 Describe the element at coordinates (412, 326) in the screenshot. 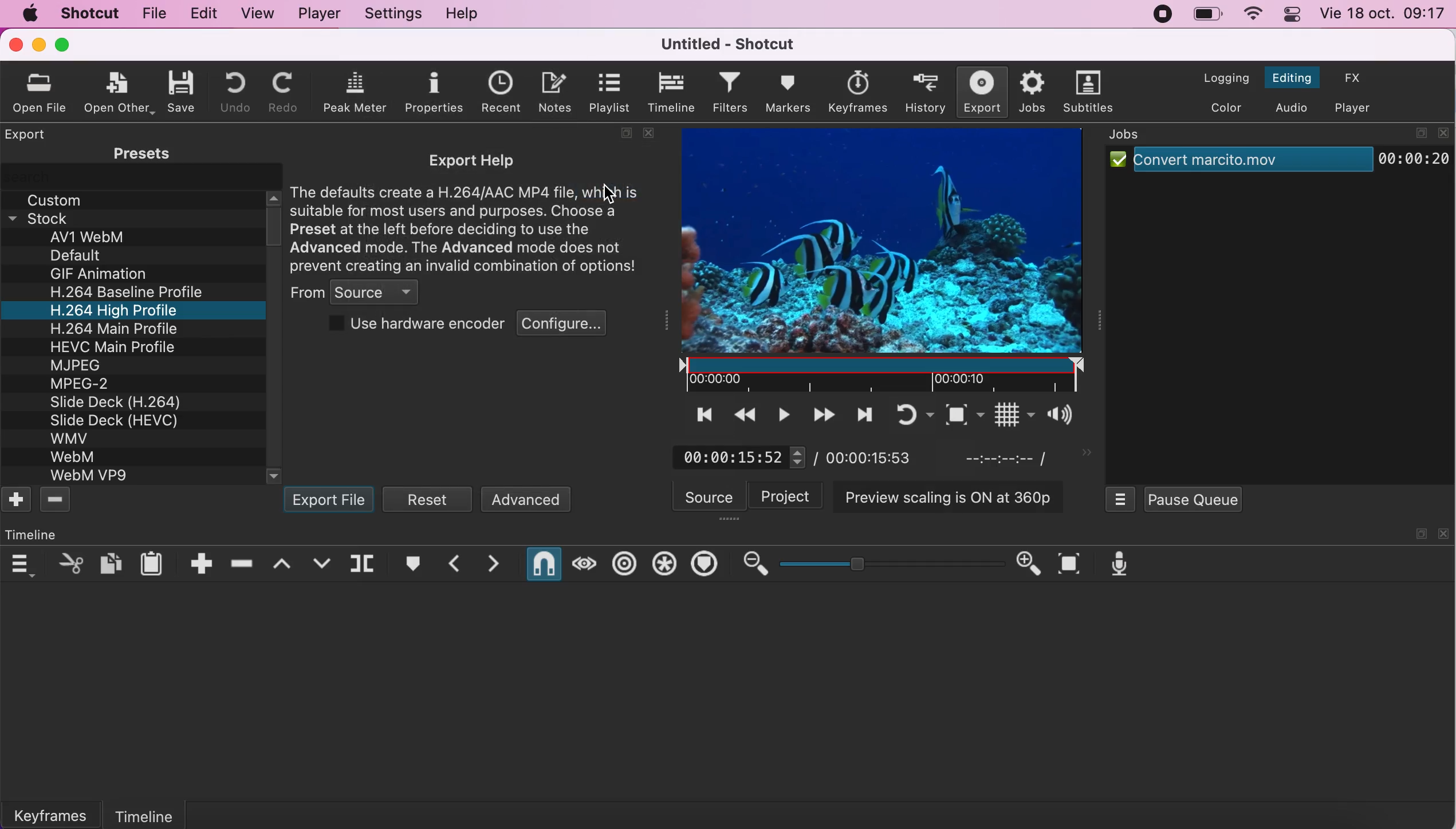

I see `use hardware encoder` at that location.